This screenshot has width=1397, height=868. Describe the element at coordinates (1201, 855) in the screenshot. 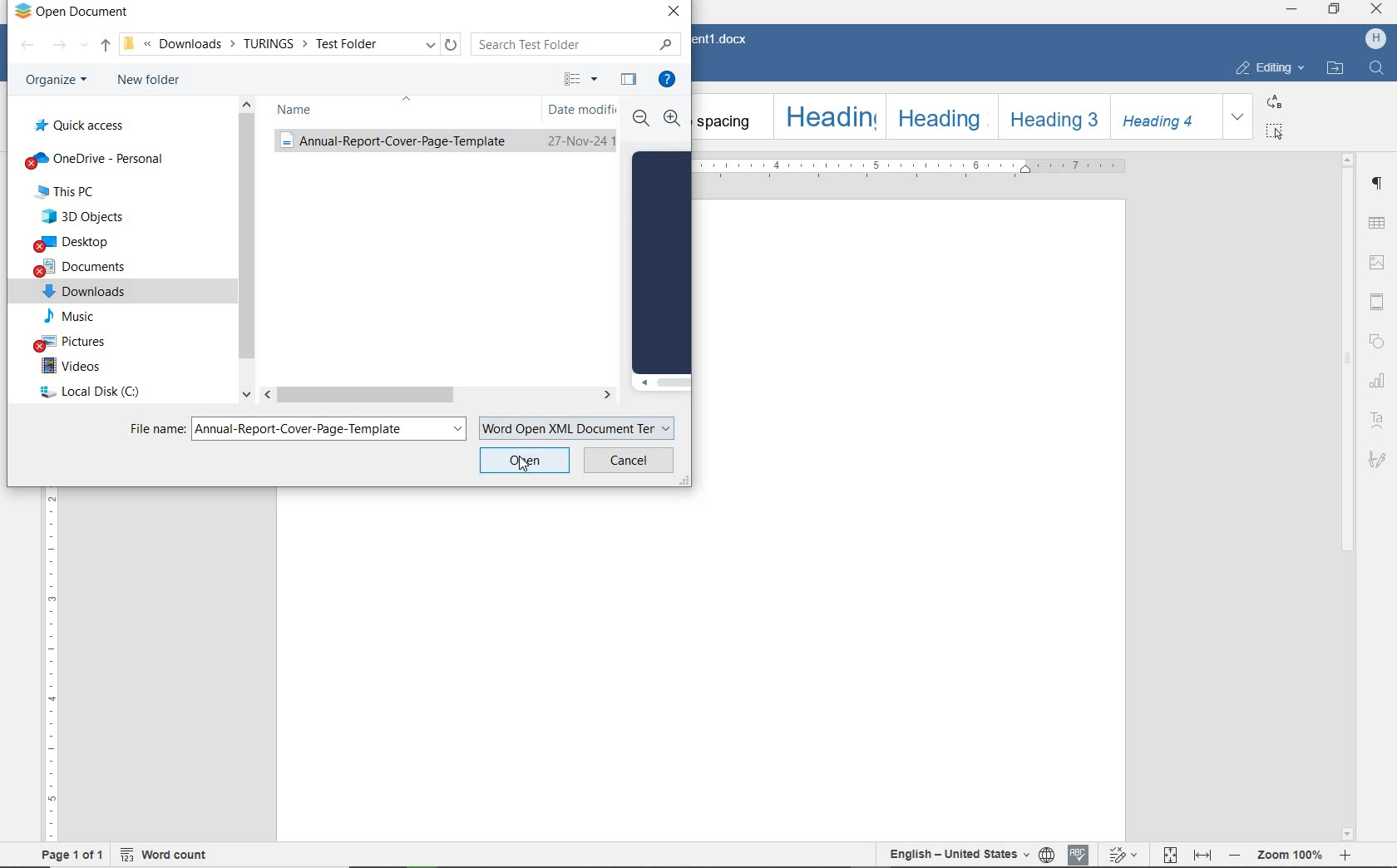

I see `Fit to Width` at that location.